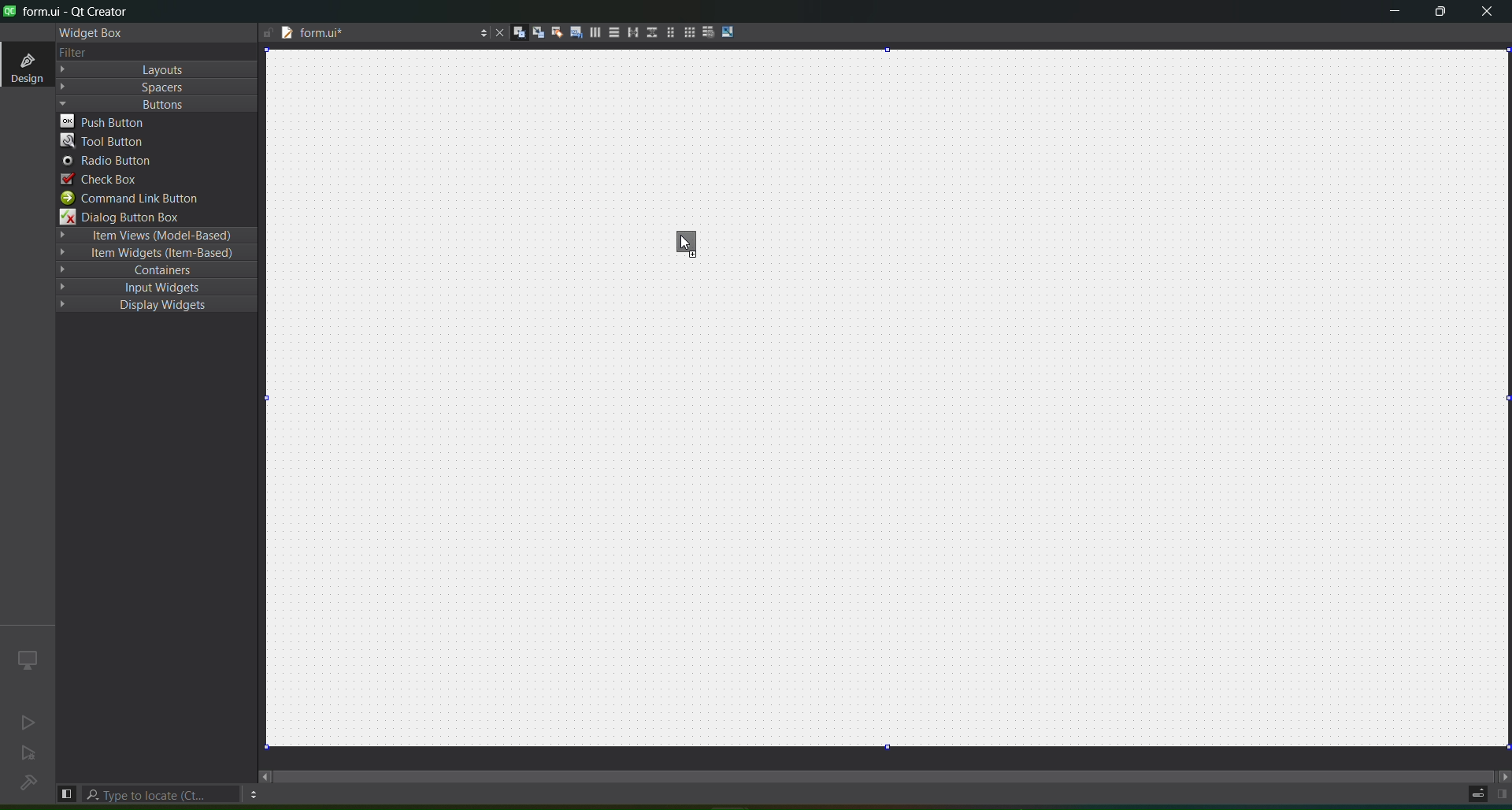 Image resolution: width=1512 pixels, height=810 pixels. Describe the element at coordinates (263, 775) in the screenshot. I see `move left` at that location.